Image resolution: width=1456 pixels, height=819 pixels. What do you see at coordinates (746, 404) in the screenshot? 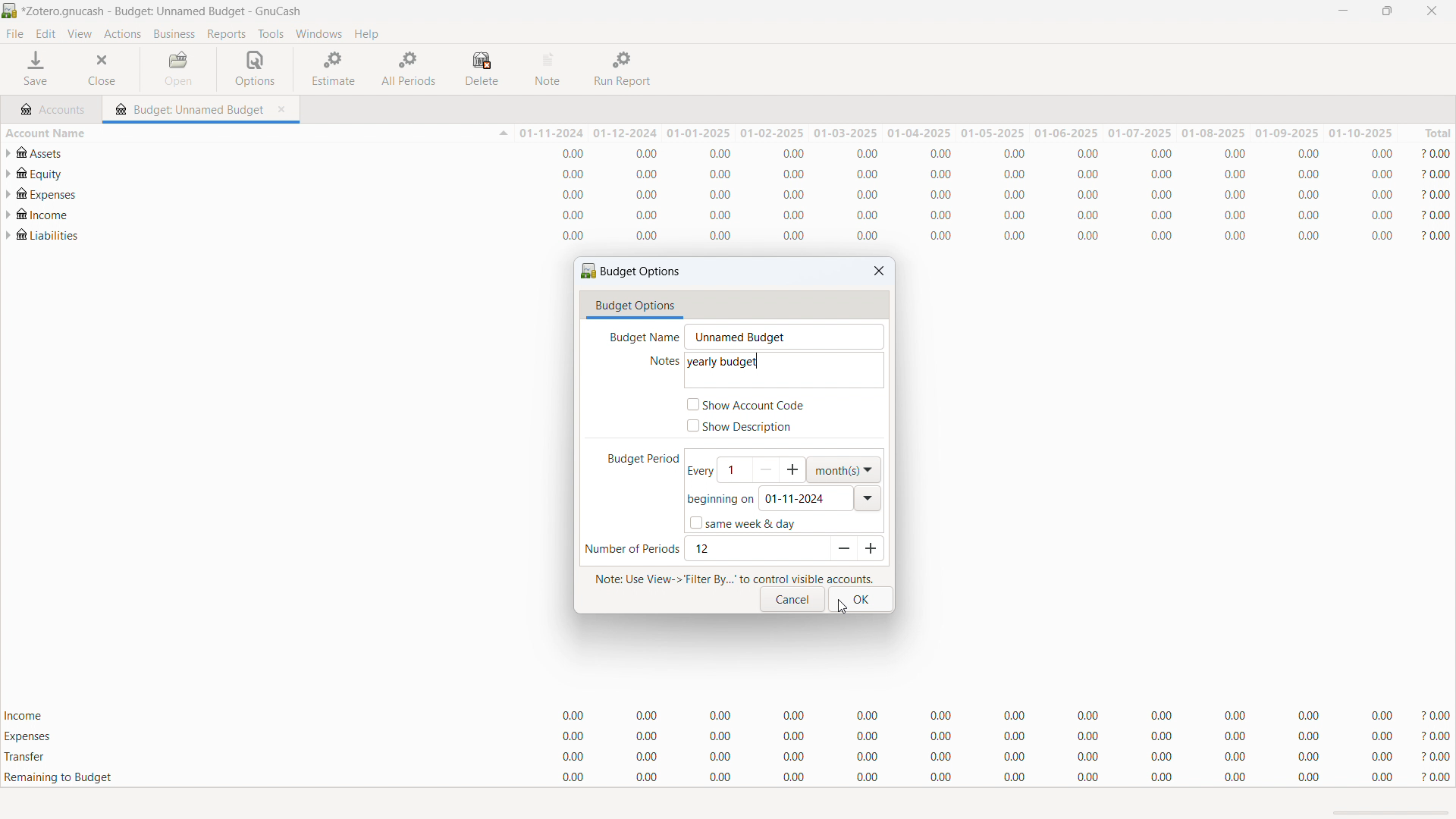
I see `show account code` at bounding box center [746, 404].